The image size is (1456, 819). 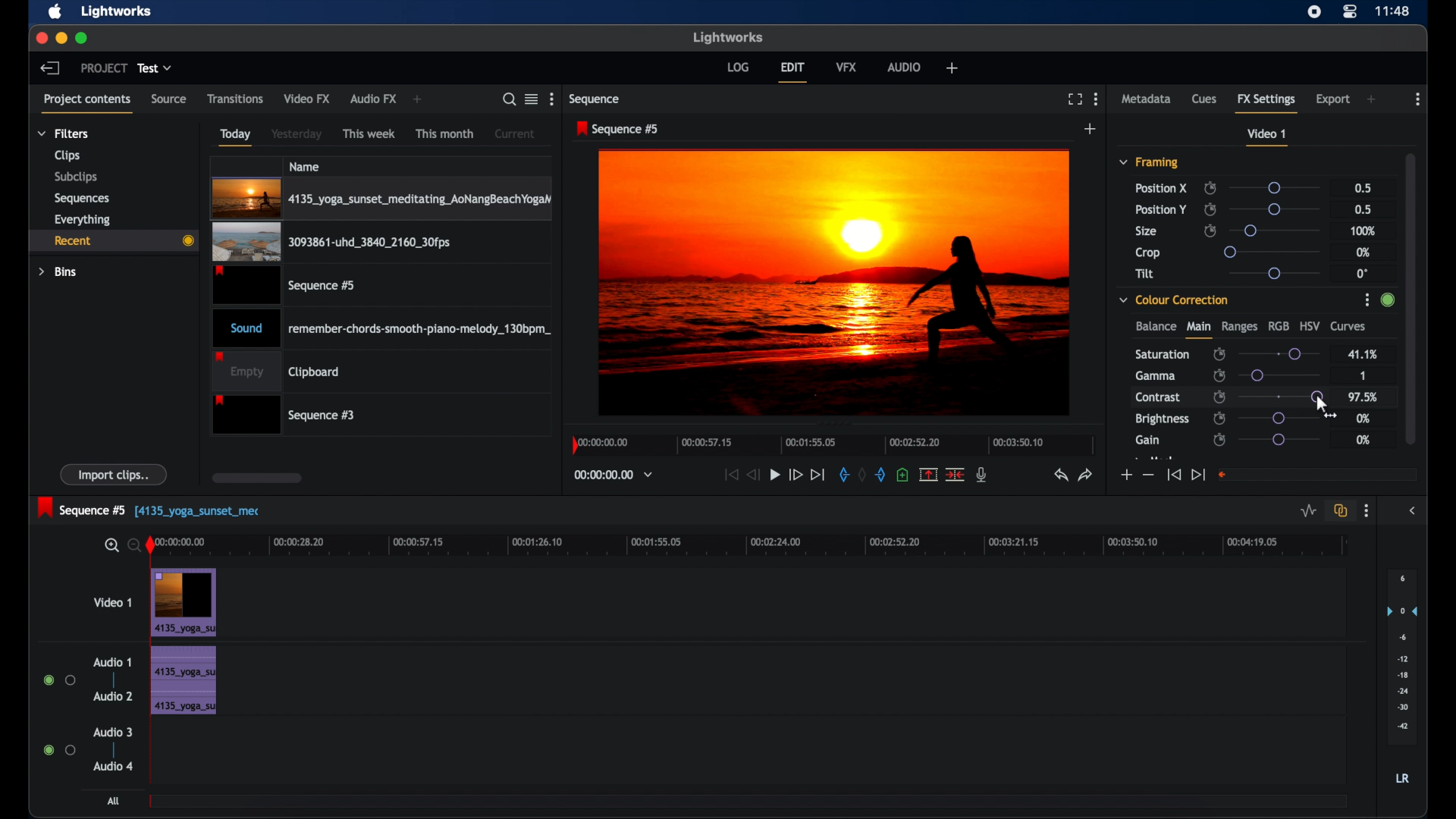 I want to click on sequence 5, so click(x=83, y=507).